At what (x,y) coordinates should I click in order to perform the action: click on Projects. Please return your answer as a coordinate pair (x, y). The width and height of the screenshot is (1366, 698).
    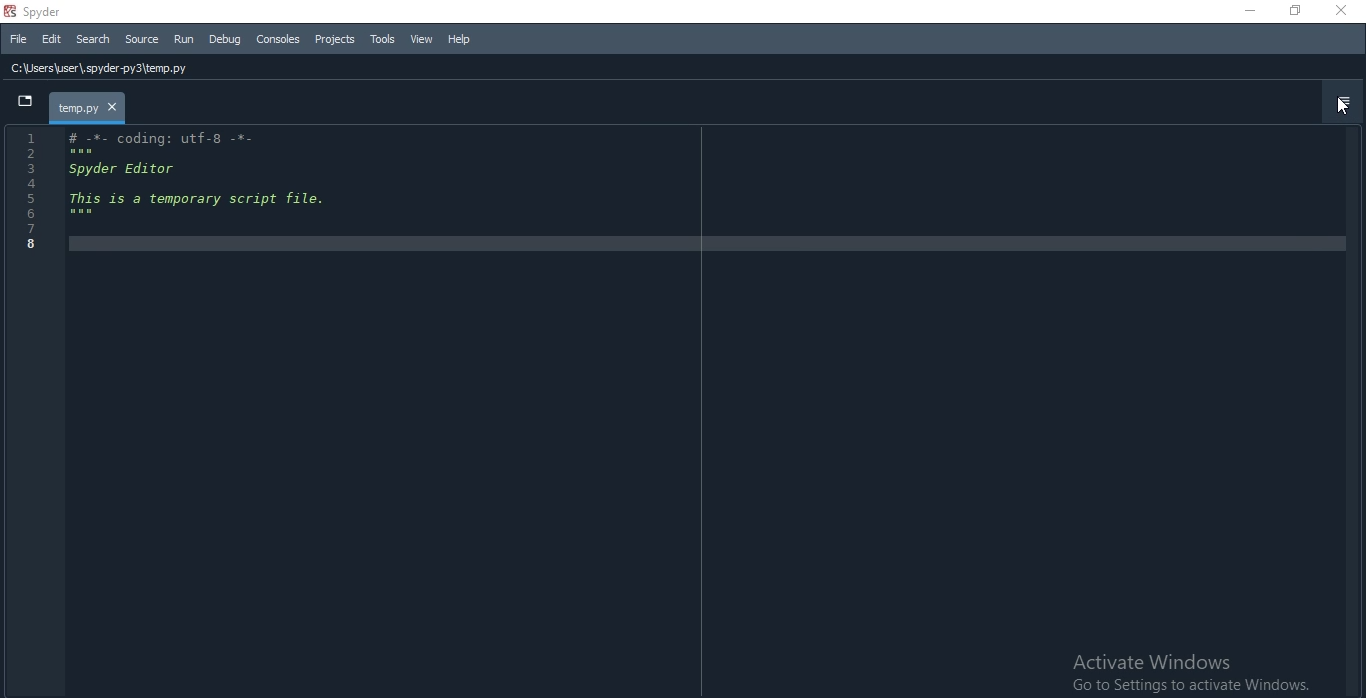
    Looking at the image, I should click on (336, 40).